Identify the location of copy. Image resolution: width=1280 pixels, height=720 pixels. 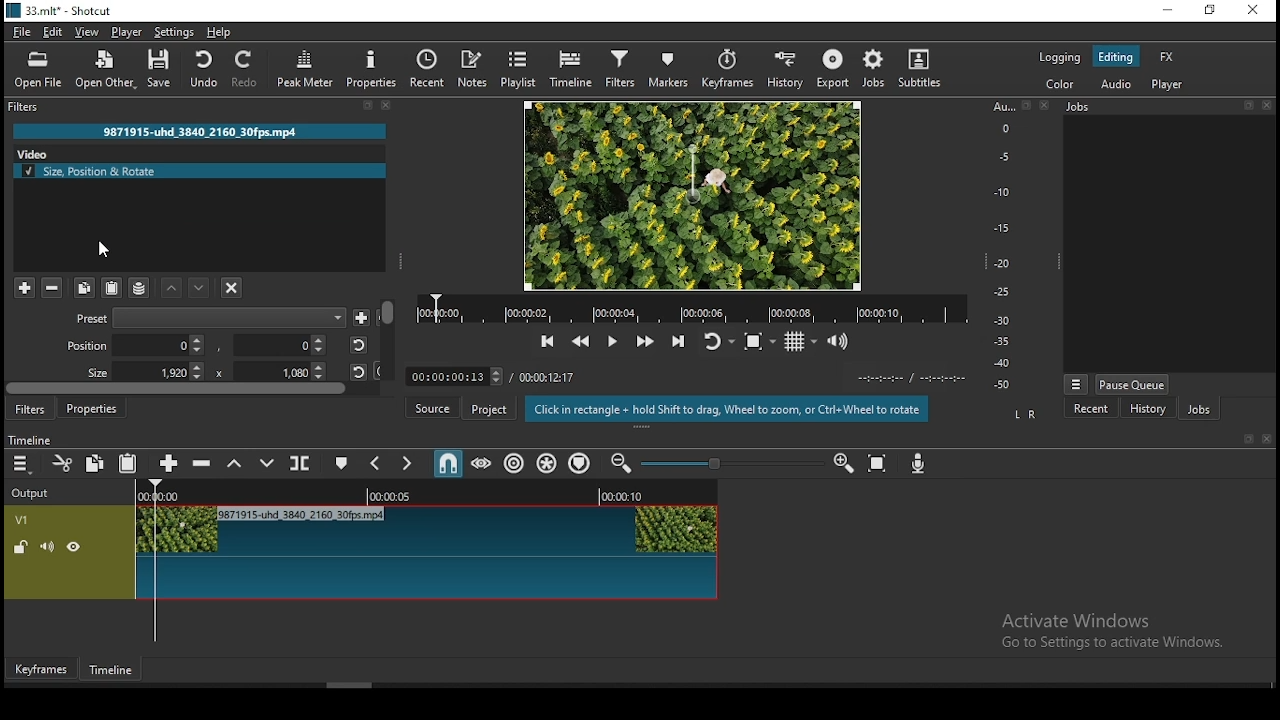
(98, 465).